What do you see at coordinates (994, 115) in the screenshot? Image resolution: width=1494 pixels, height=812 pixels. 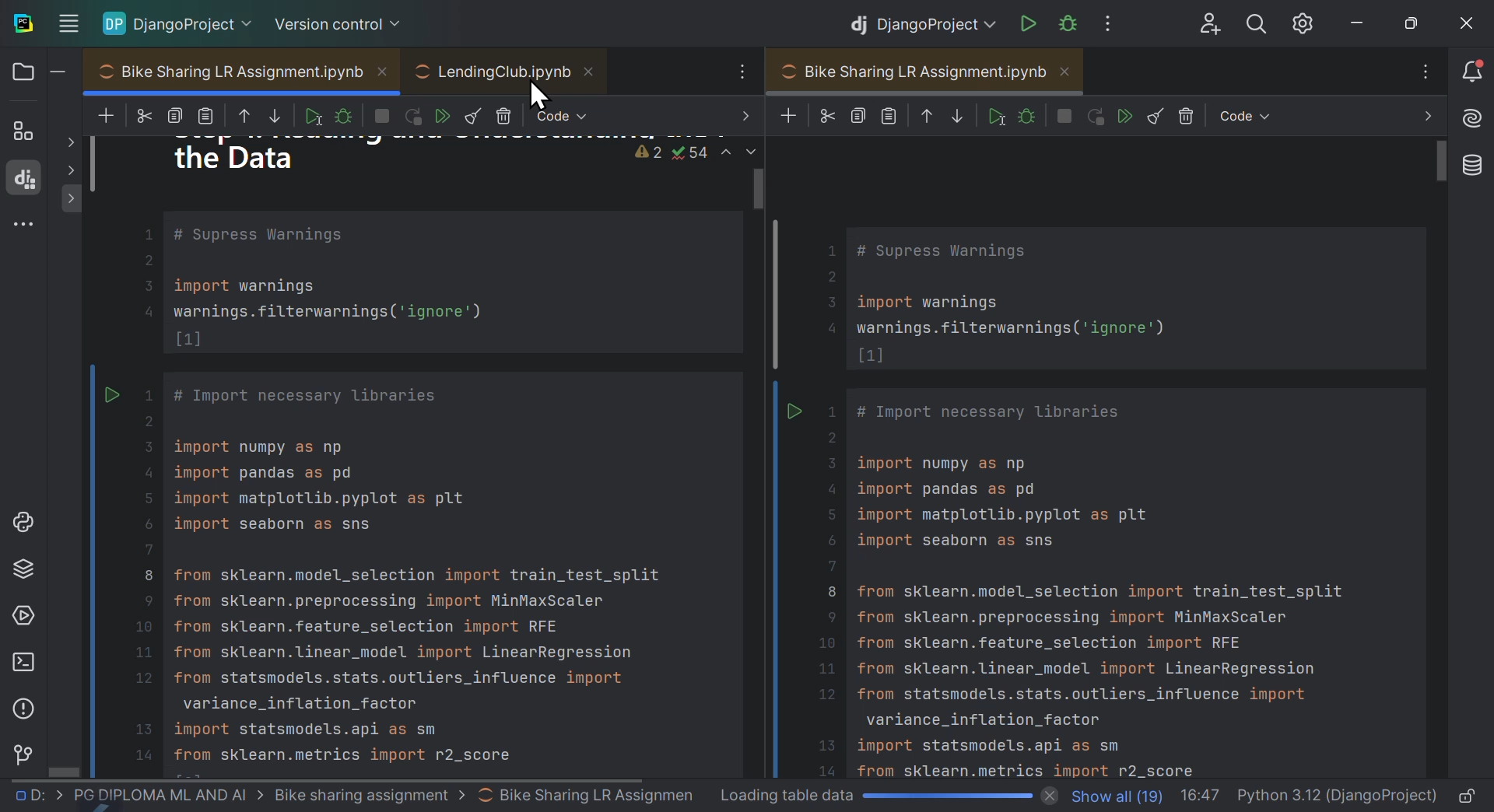 I see `run cell & select below` at bounding box center [994, 115].